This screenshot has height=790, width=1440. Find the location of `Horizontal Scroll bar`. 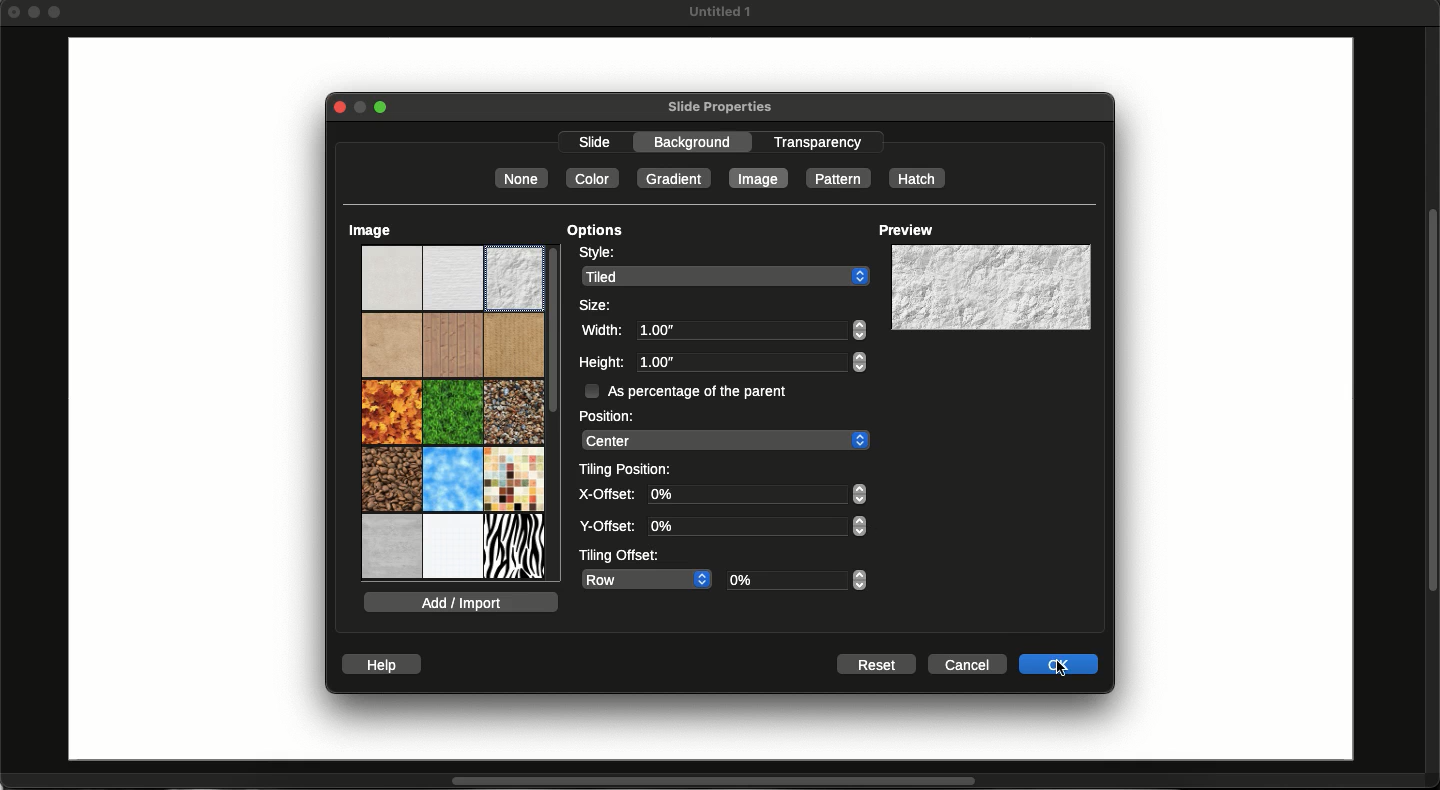

Horizontal Scroll bar is located at coordinates (702, 782).